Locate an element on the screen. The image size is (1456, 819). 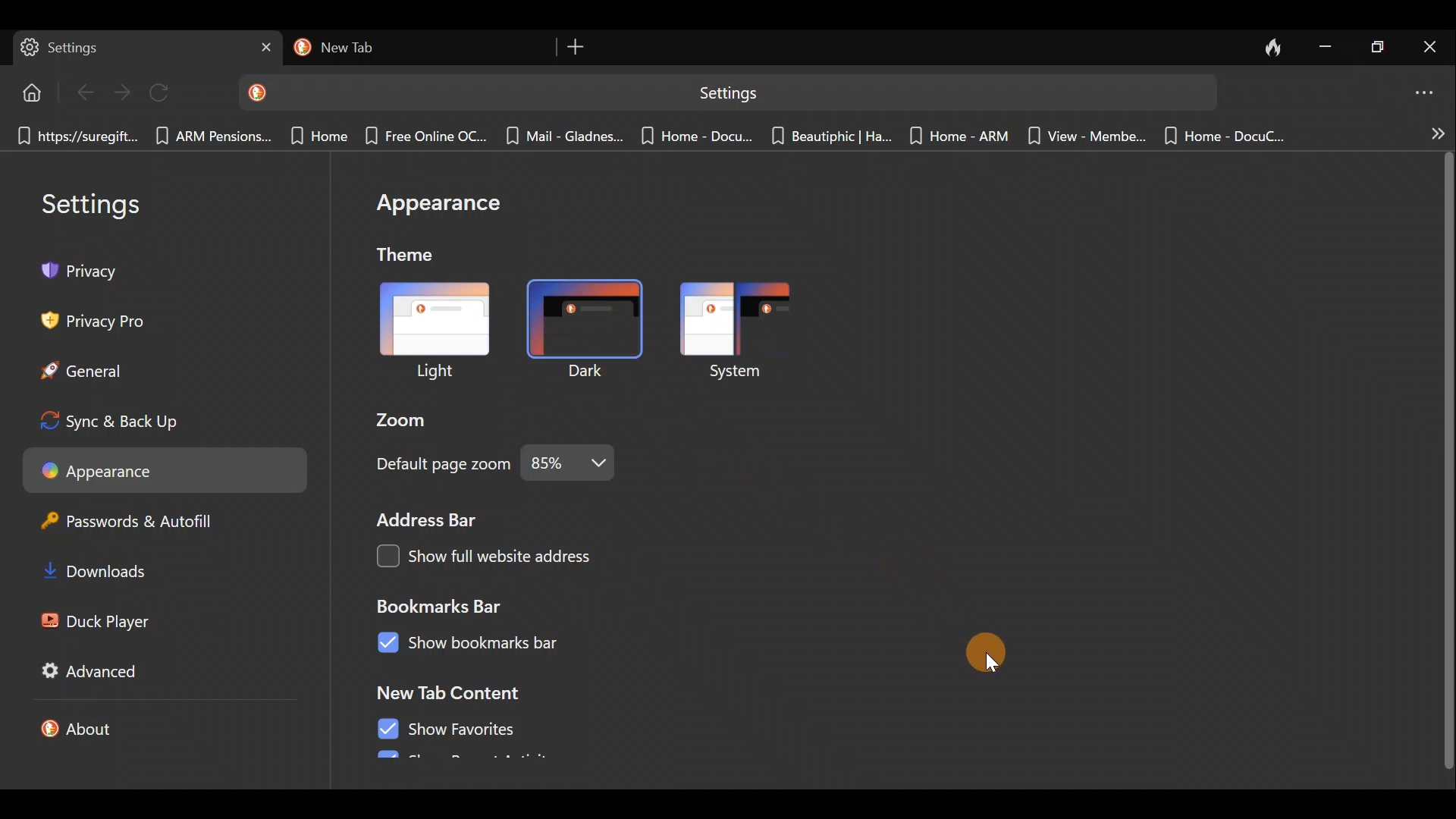
scroll bar is located at coordinates (1447, 457).